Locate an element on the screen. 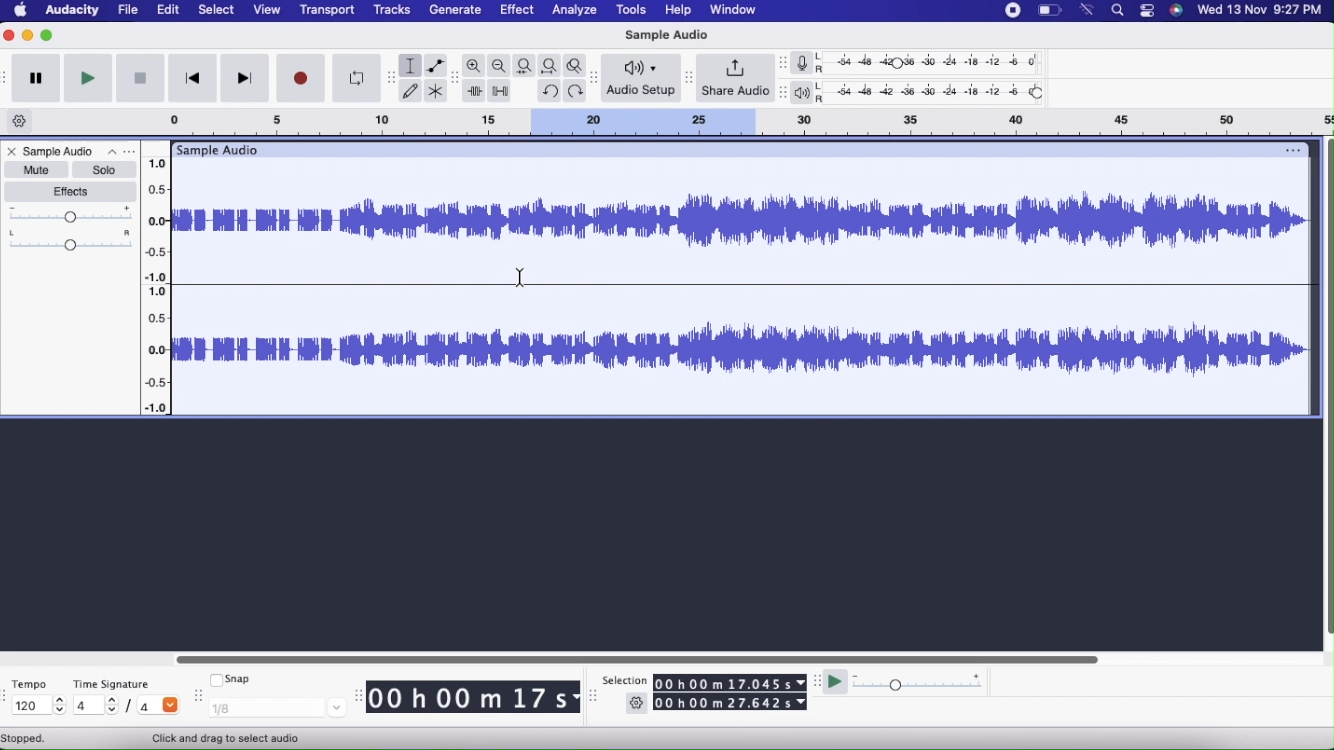 This screenshot has height=750, width=1334. move toolbar is located at coordinates (201, 692).